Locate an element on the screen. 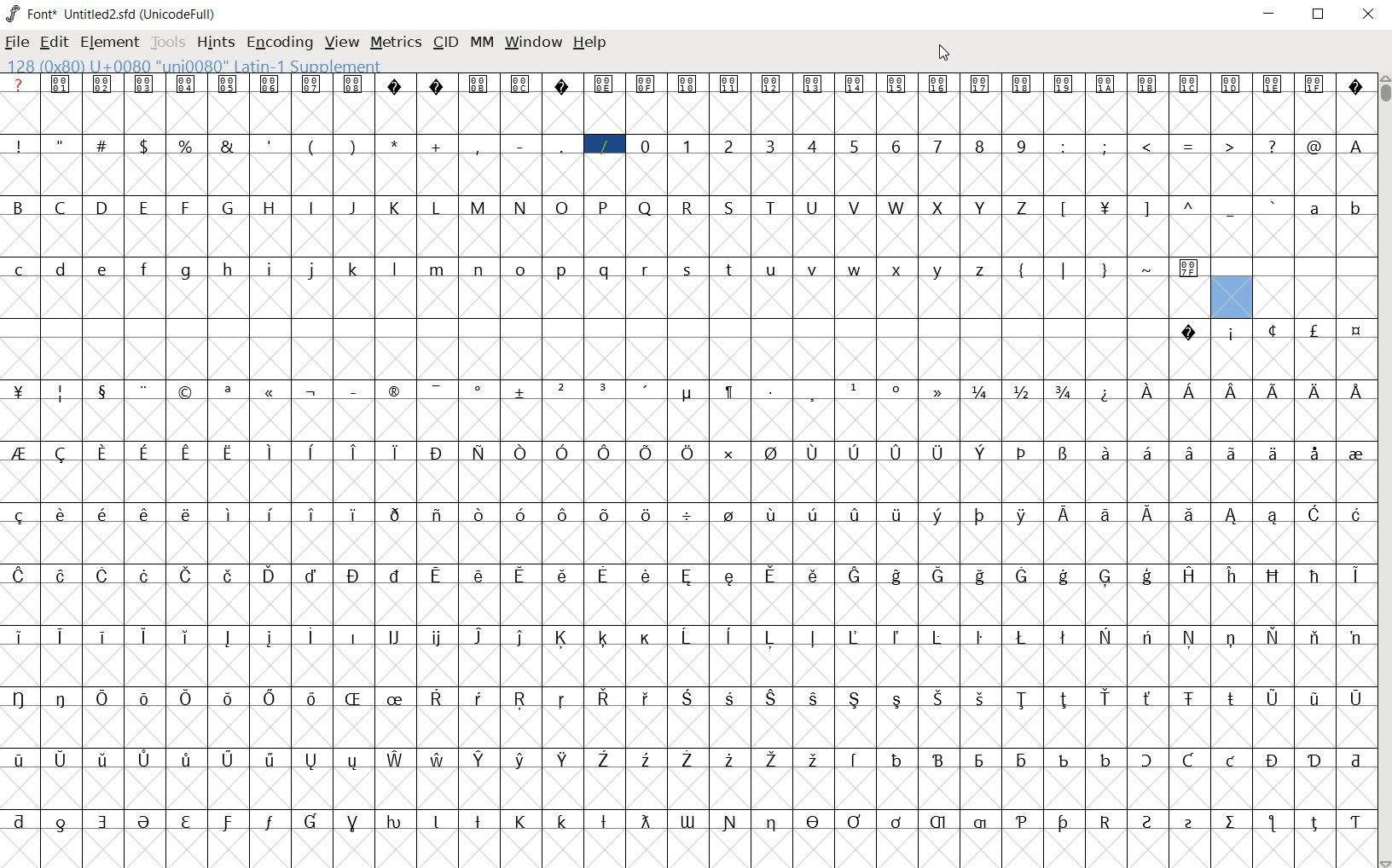 Image resolution: width=1392 pixels, height=868 pixels. glyph is located at coordinates (435, 454).